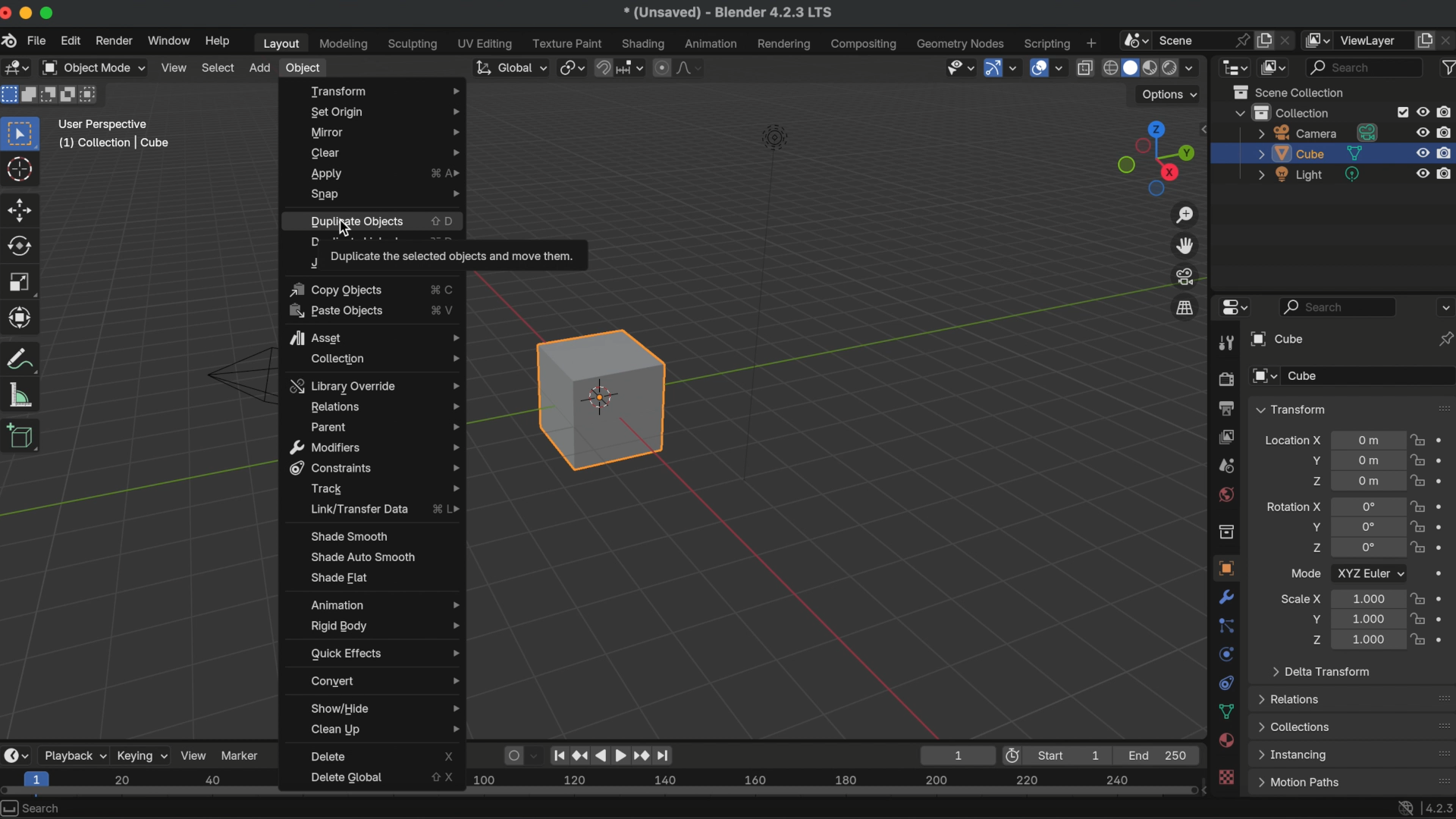 This screenshot has width=1456, height=819. Describe the element at coordinates (1293, 92) in the screenshot. I see `scene collection` at that location.